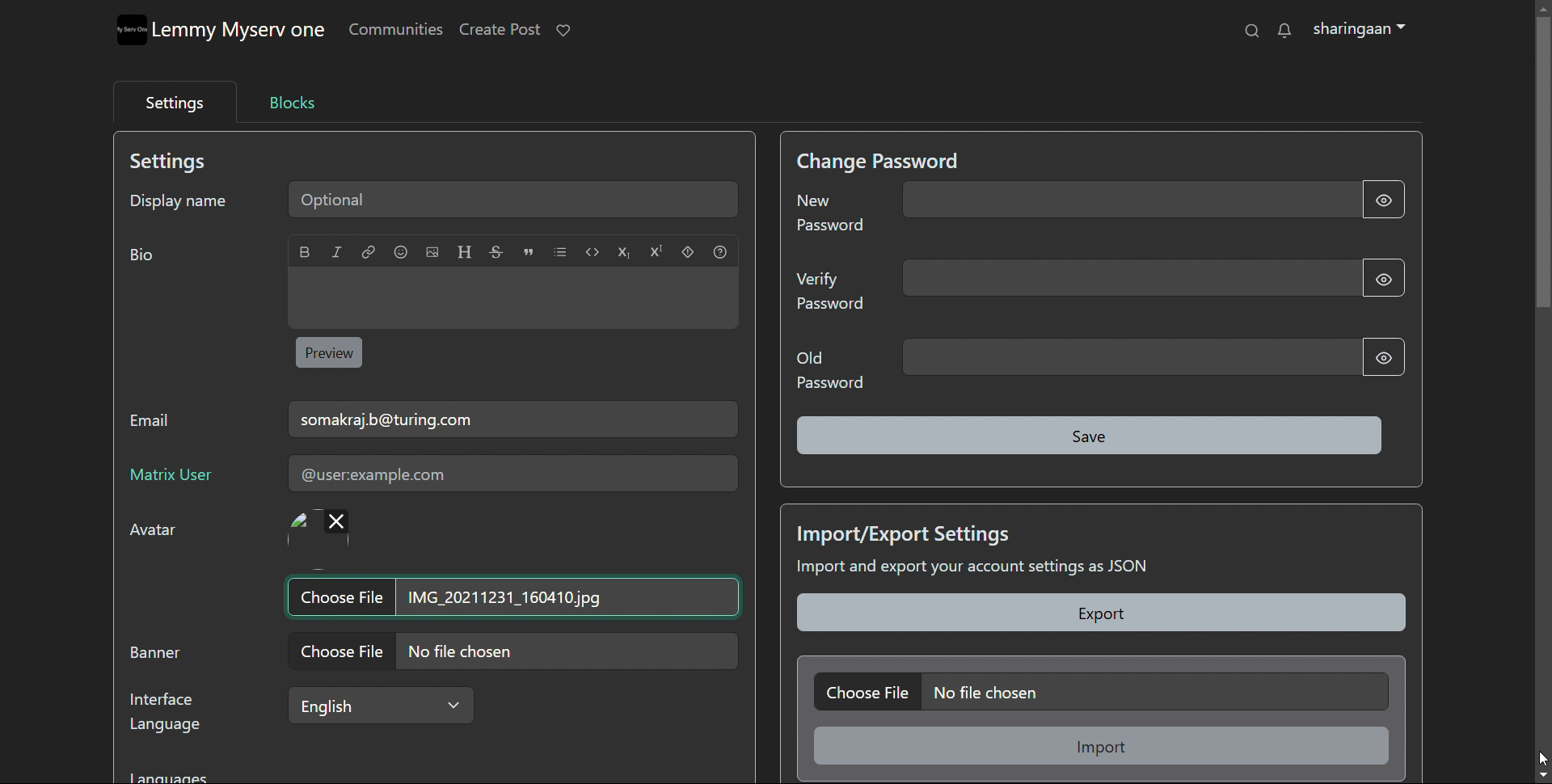  Describe the element at coordinates (624, 252) in the screenshot. I see `subscriipt` at that location.